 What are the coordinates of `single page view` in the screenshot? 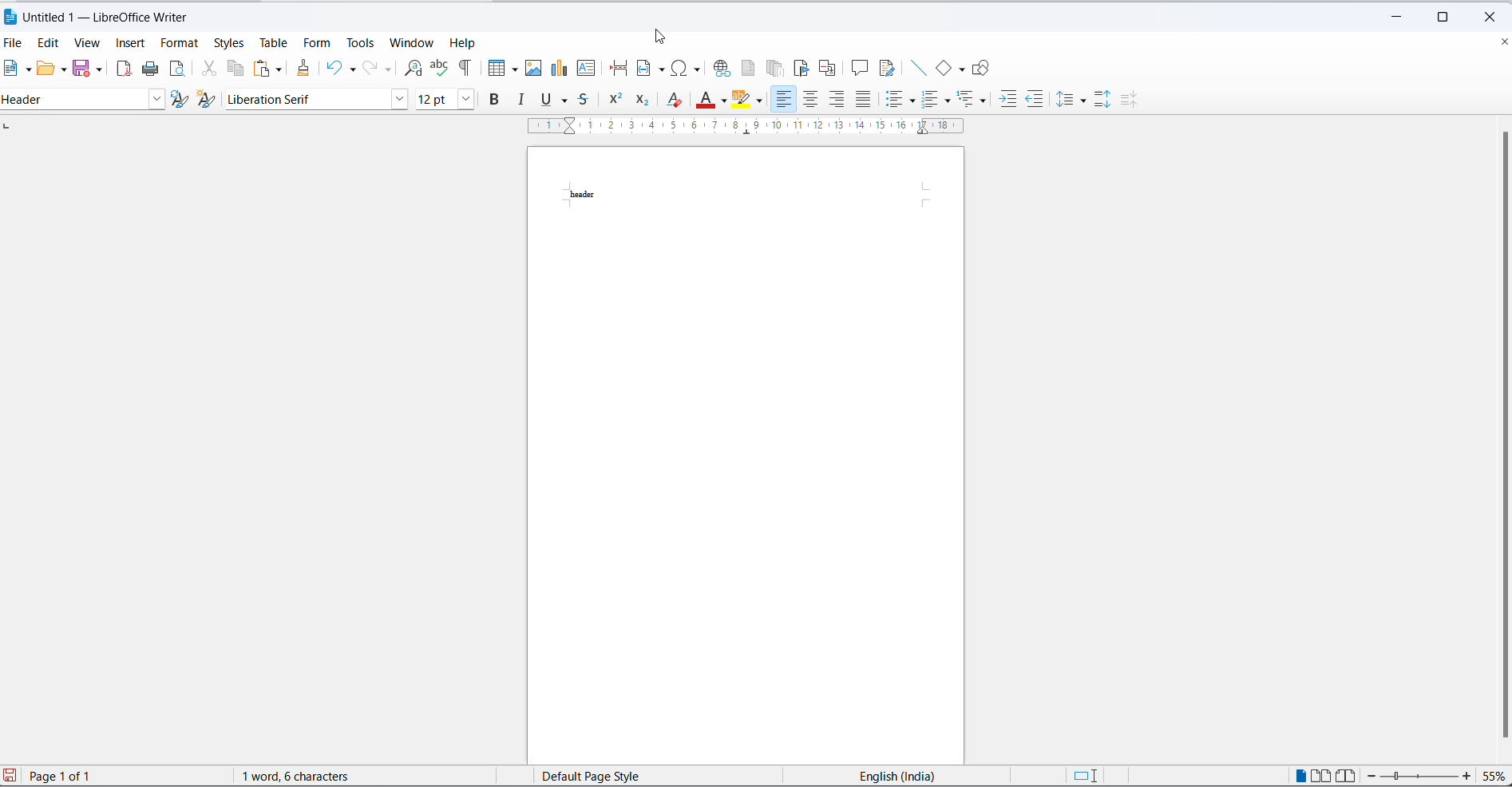 It's located at (1300, 776).